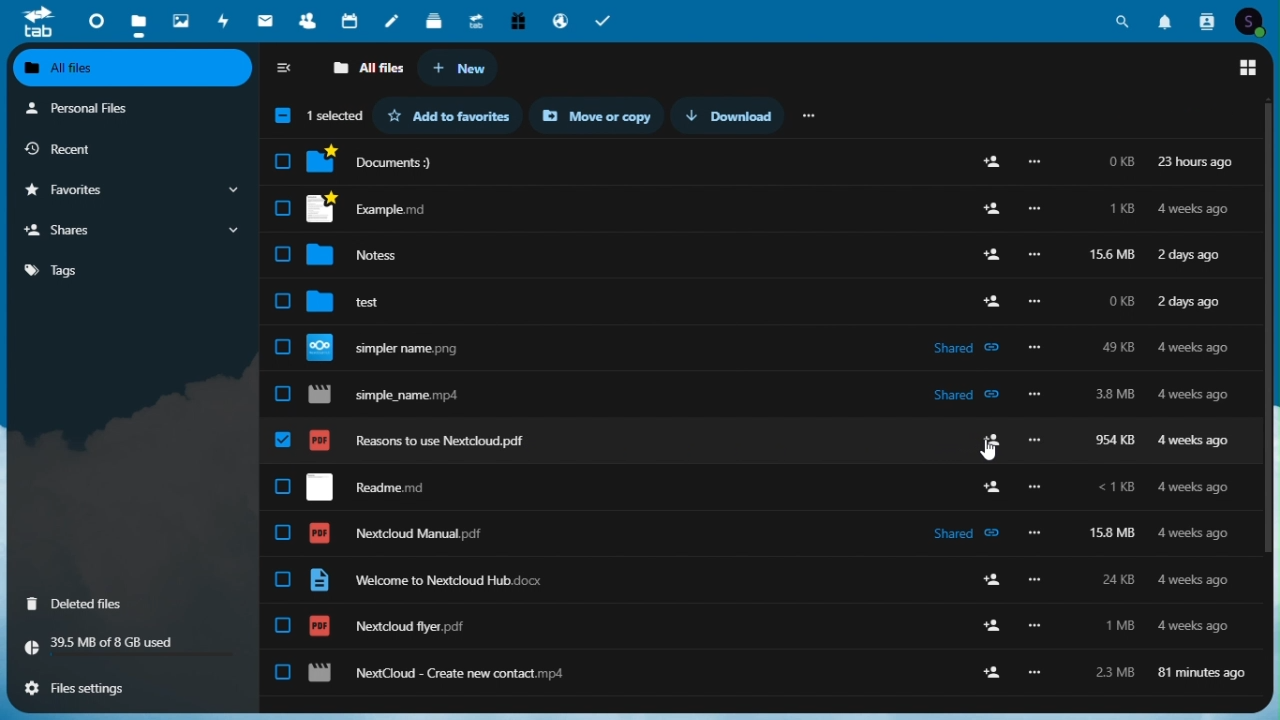 This screenshot has height=720, width=1280. I want to click on shares, so click(134, 230).